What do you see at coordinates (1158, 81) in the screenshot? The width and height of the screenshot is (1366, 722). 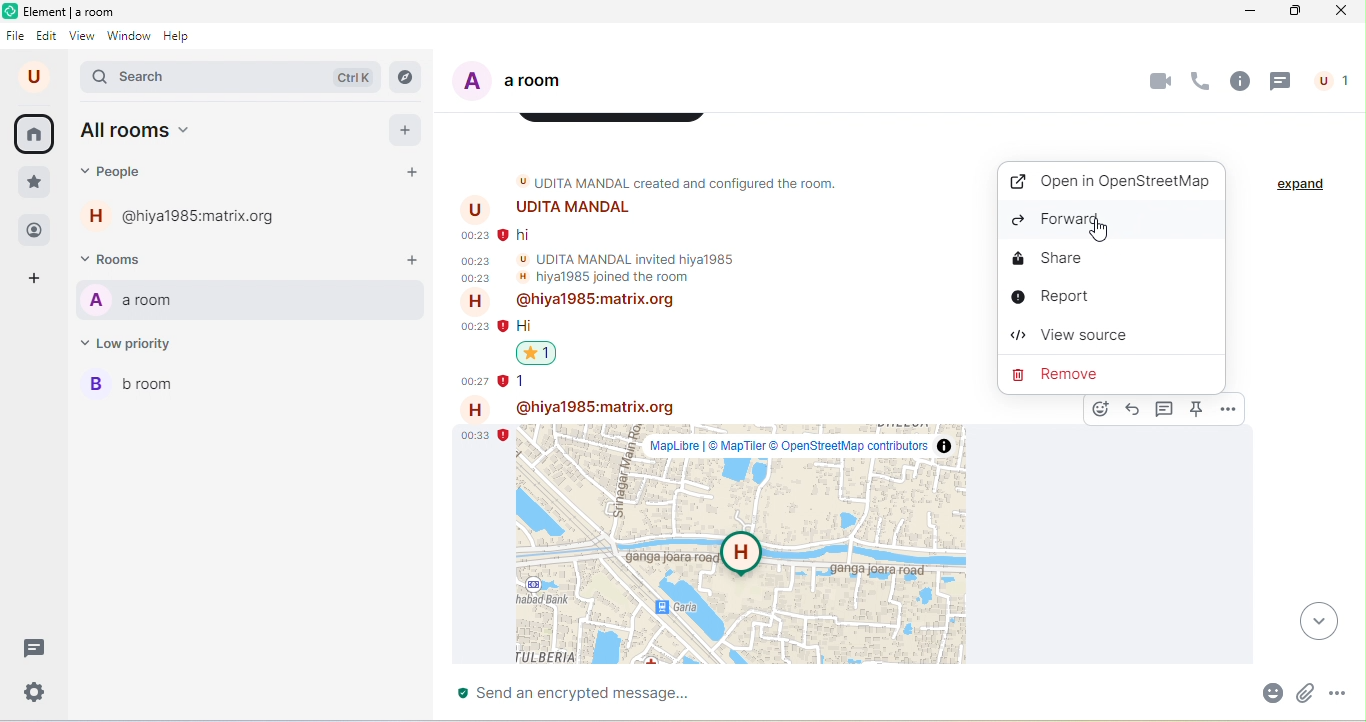 I see `video call` at bounding box center [1158, 81].